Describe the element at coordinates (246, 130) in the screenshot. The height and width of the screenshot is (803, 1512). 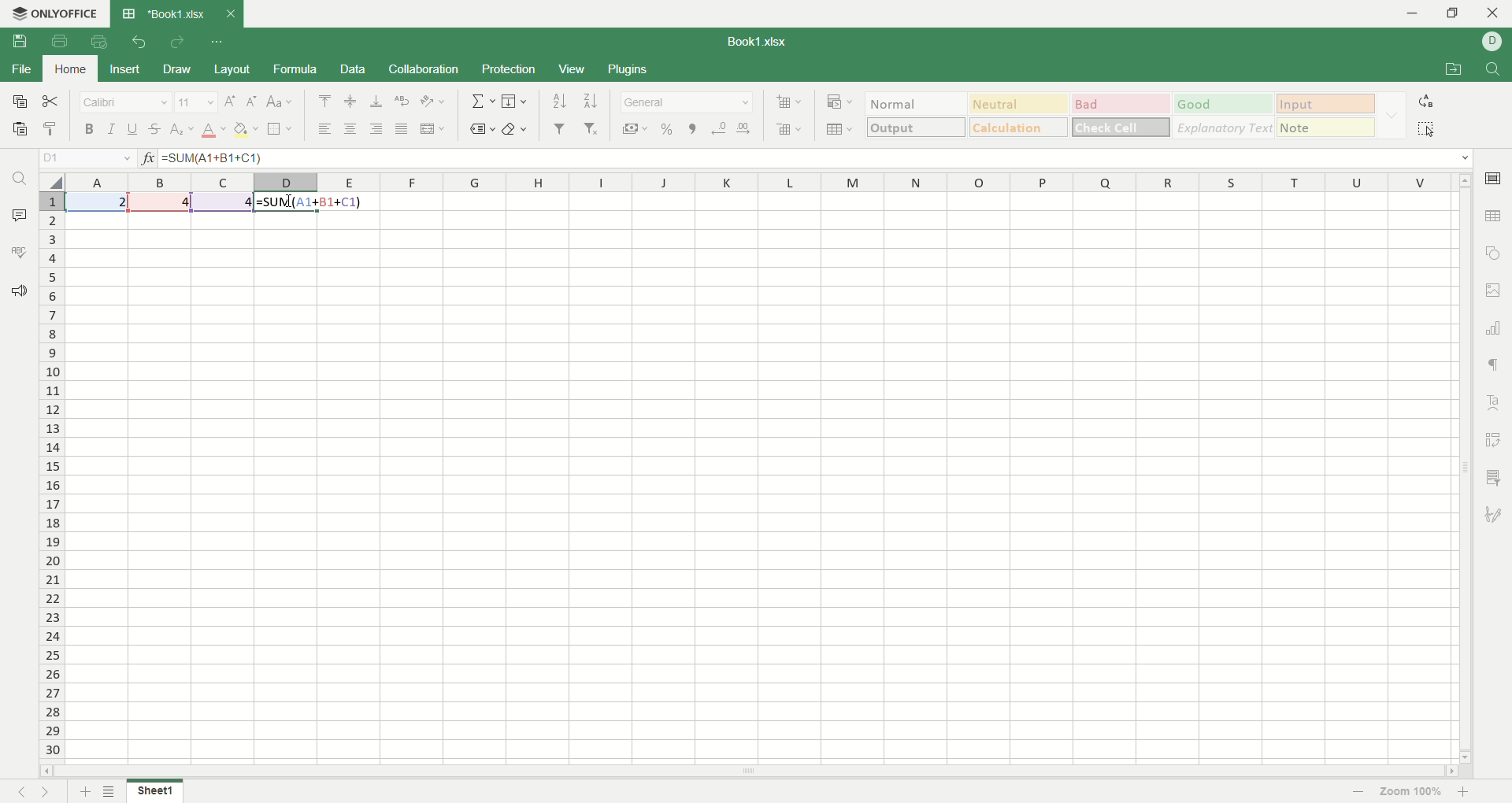
I see `fill color` at that location.